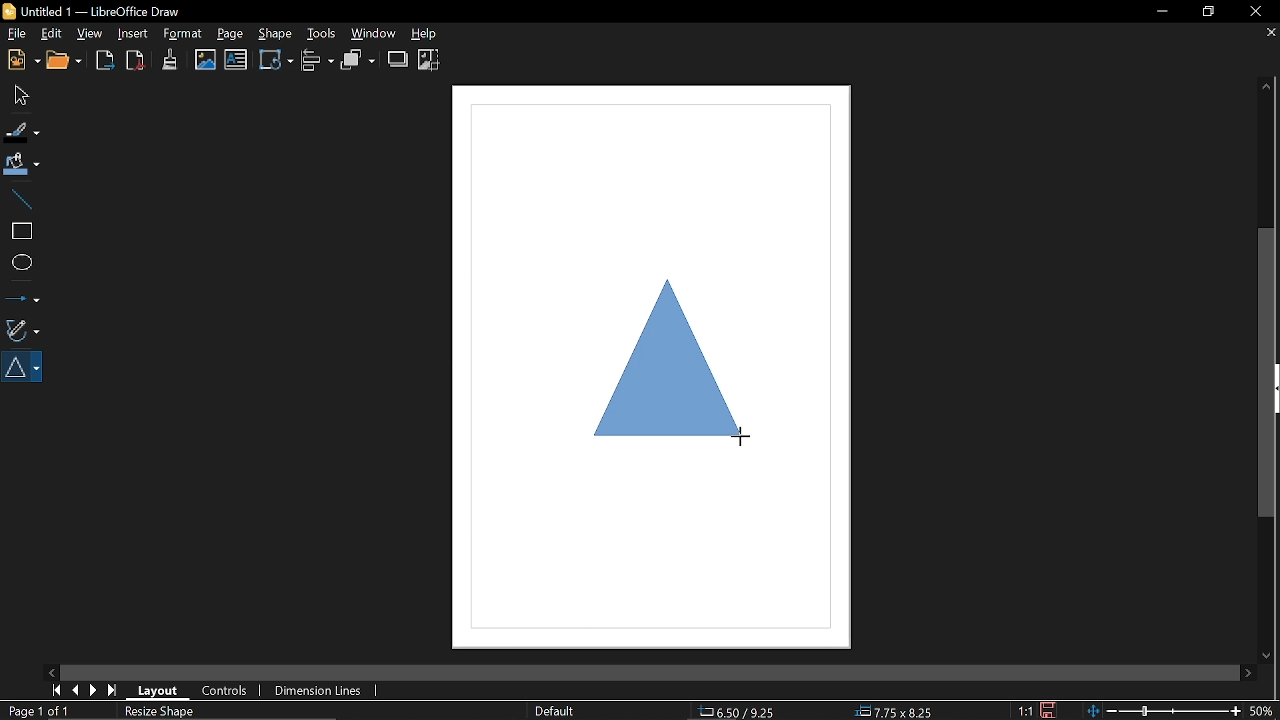 This screenshot has height=720, width=1280. What do you see at coordinates (20, 231) in the screenshot?
I see `Rectangle` at bounding box center [20, 231].